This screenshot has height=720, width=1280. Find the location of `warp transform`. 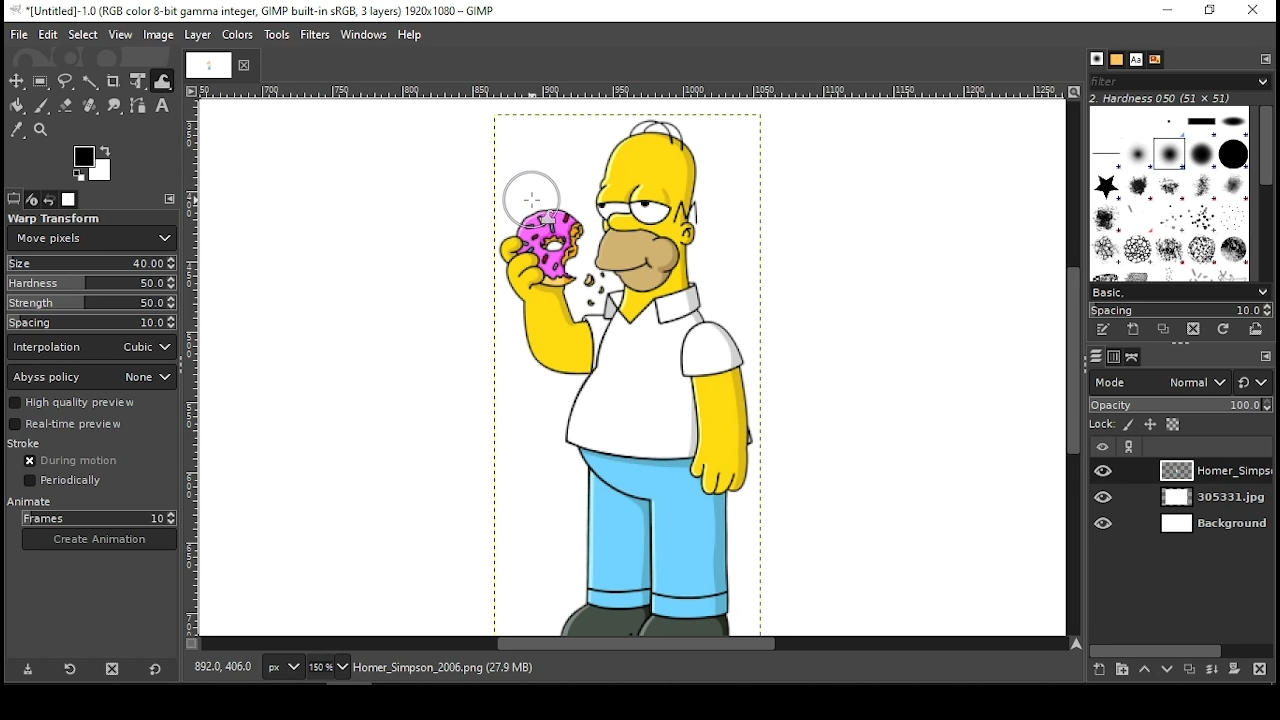

warp transform is located at coordinates (56, 218).